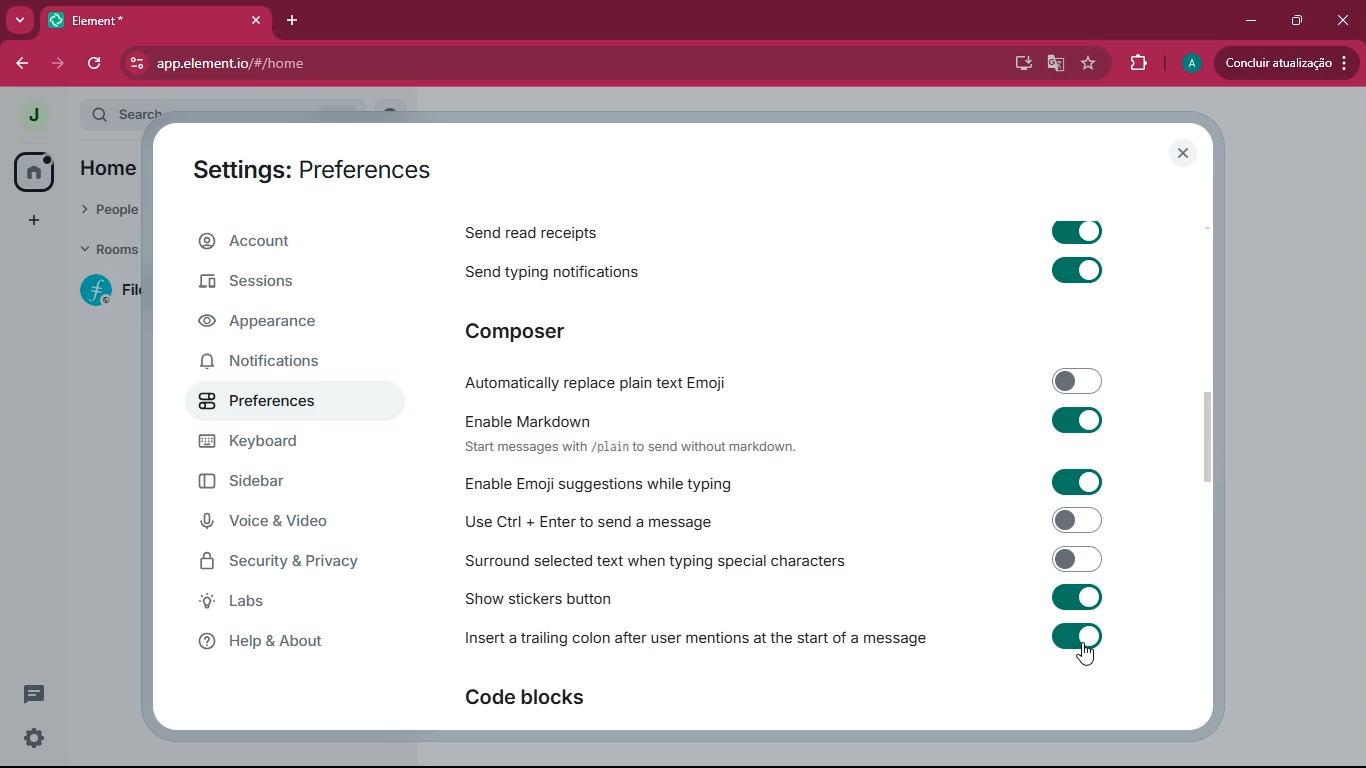 The height and width of the screenshot is (768, 1366). What do you see at coordinates (282, 286) in the screenshot?
I see `sessions` at bounding box center [282, 286].